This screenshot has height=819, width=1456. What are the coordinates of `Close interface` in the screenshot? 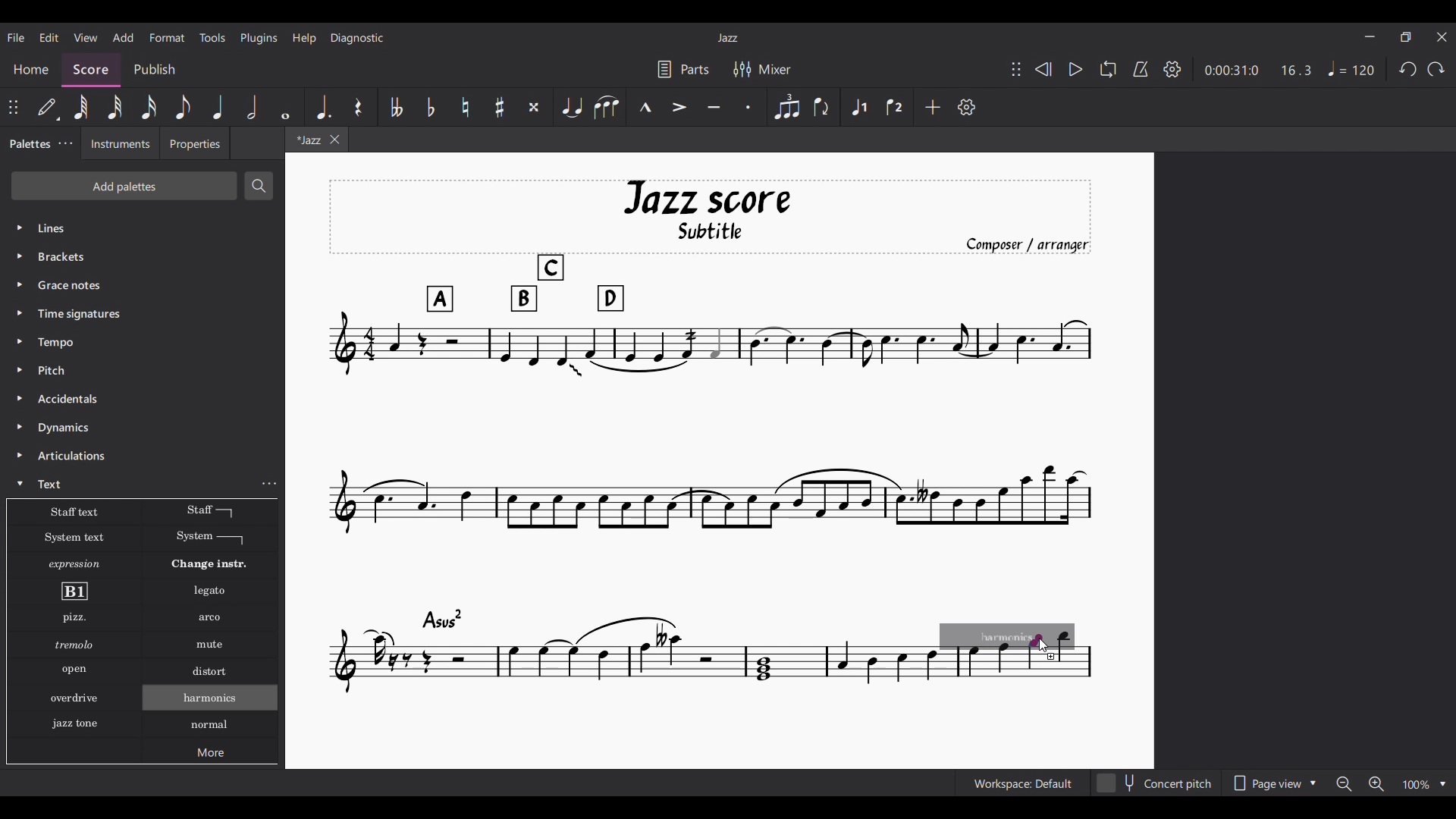 It's located at (1442, 37).